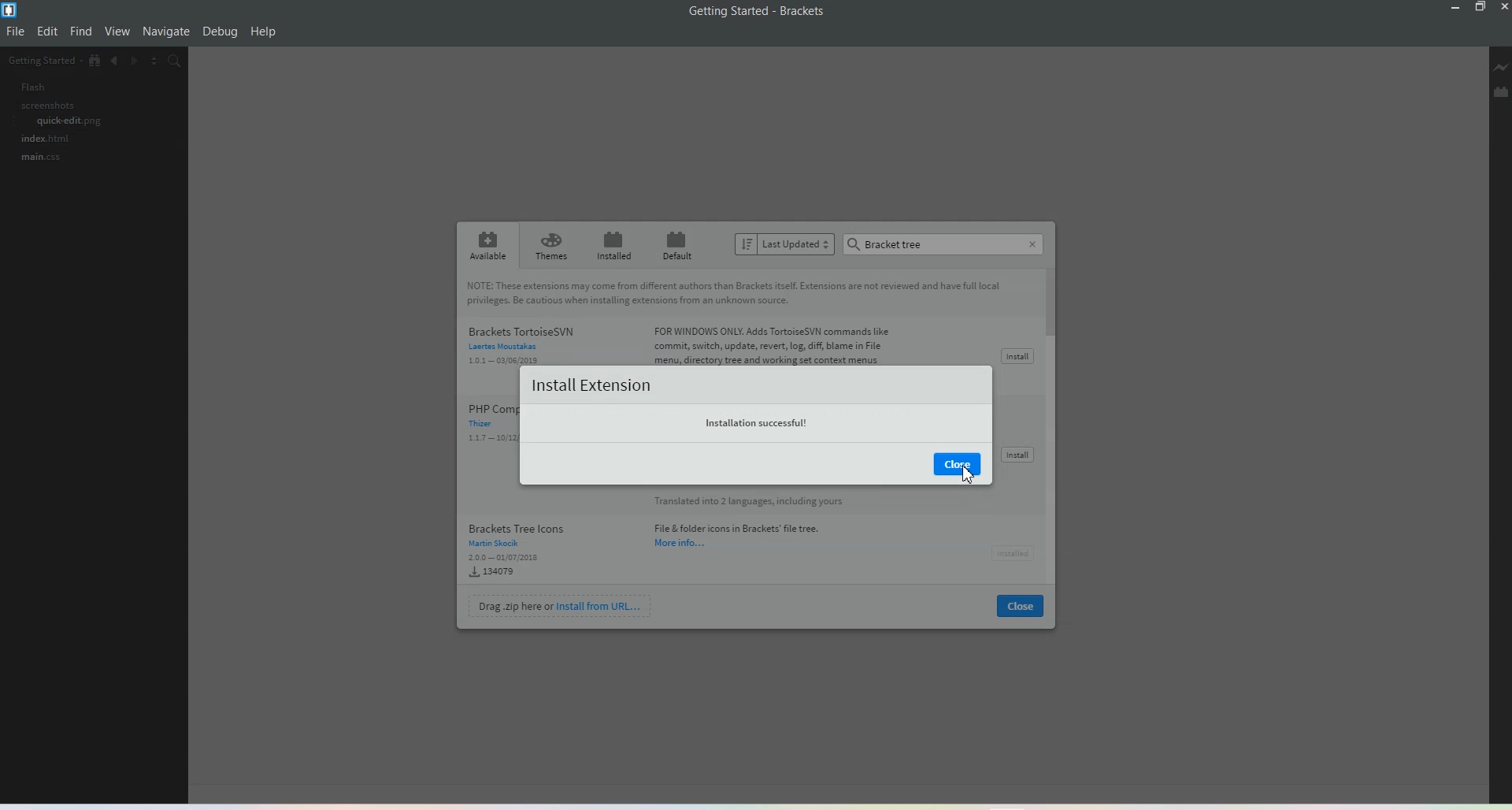  What do you see at coordinates (1503, 7) in the screenshot?
I see `Close` at bounding box center [1503, 7].